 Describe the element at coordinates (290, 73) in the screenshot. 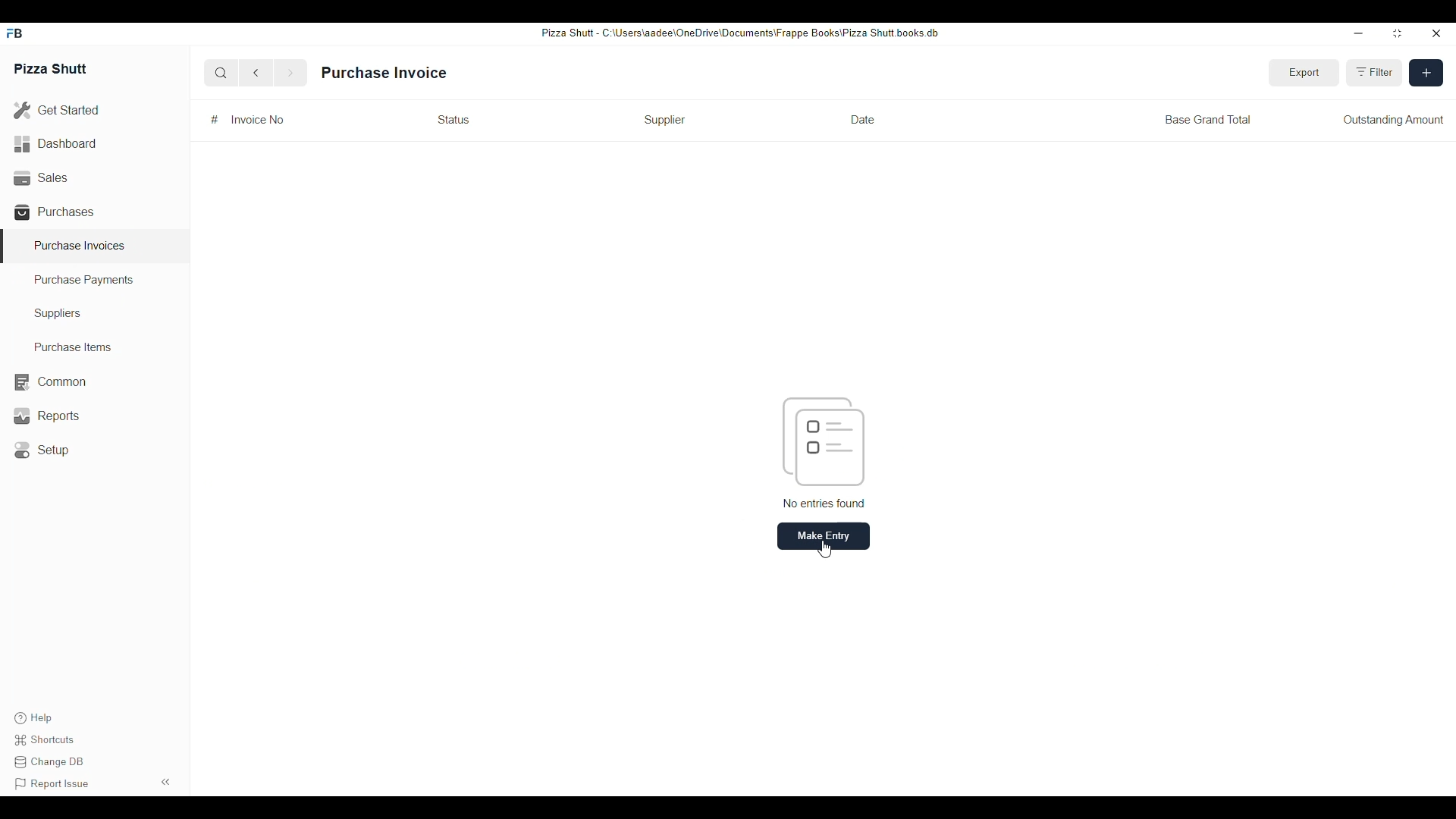

I see `forward` at that location.